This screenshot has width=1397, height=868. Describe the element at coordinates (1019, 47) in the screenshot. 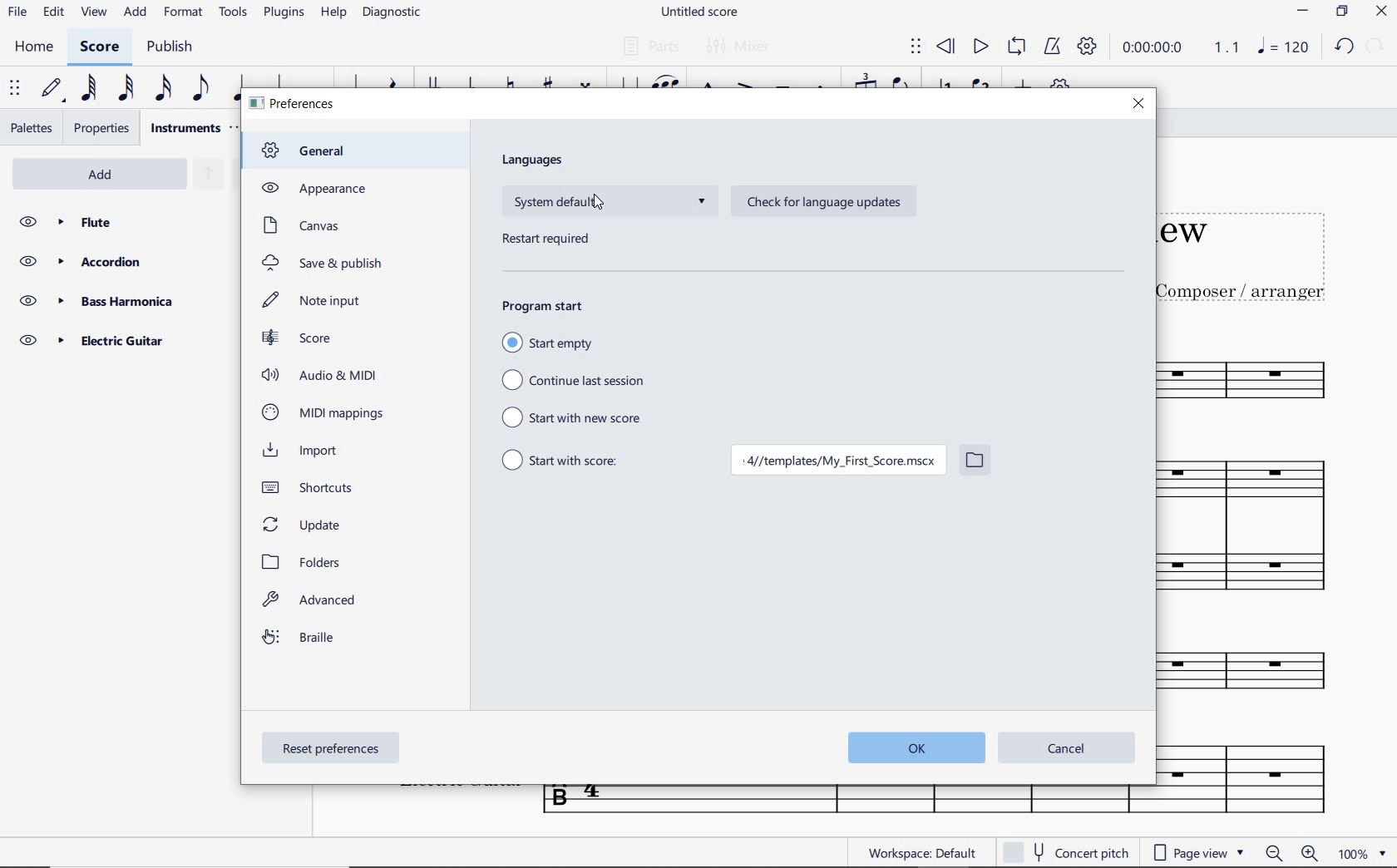

I see `loop playback` at that location.